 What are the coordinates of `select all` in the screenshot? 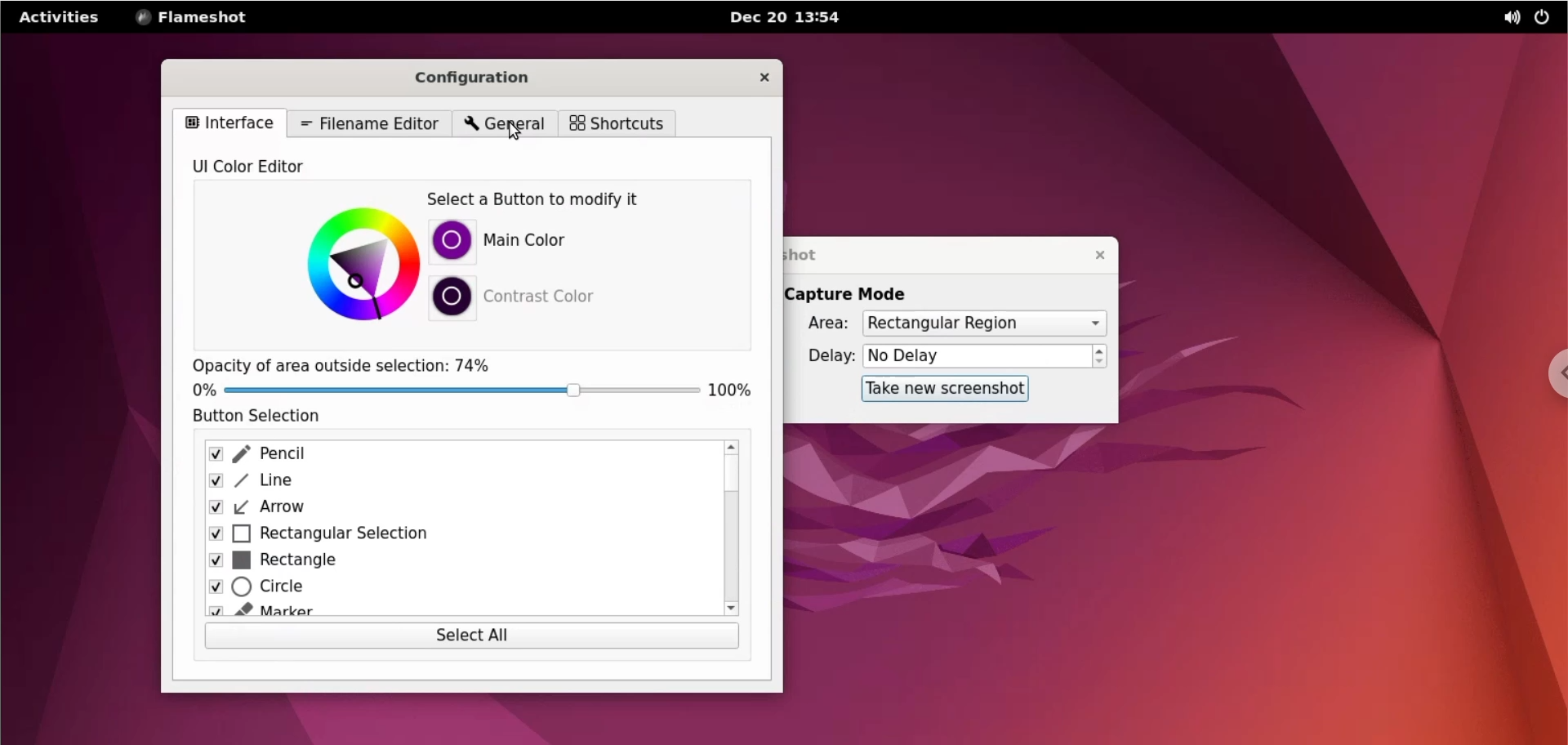 It's located at (467, 637).